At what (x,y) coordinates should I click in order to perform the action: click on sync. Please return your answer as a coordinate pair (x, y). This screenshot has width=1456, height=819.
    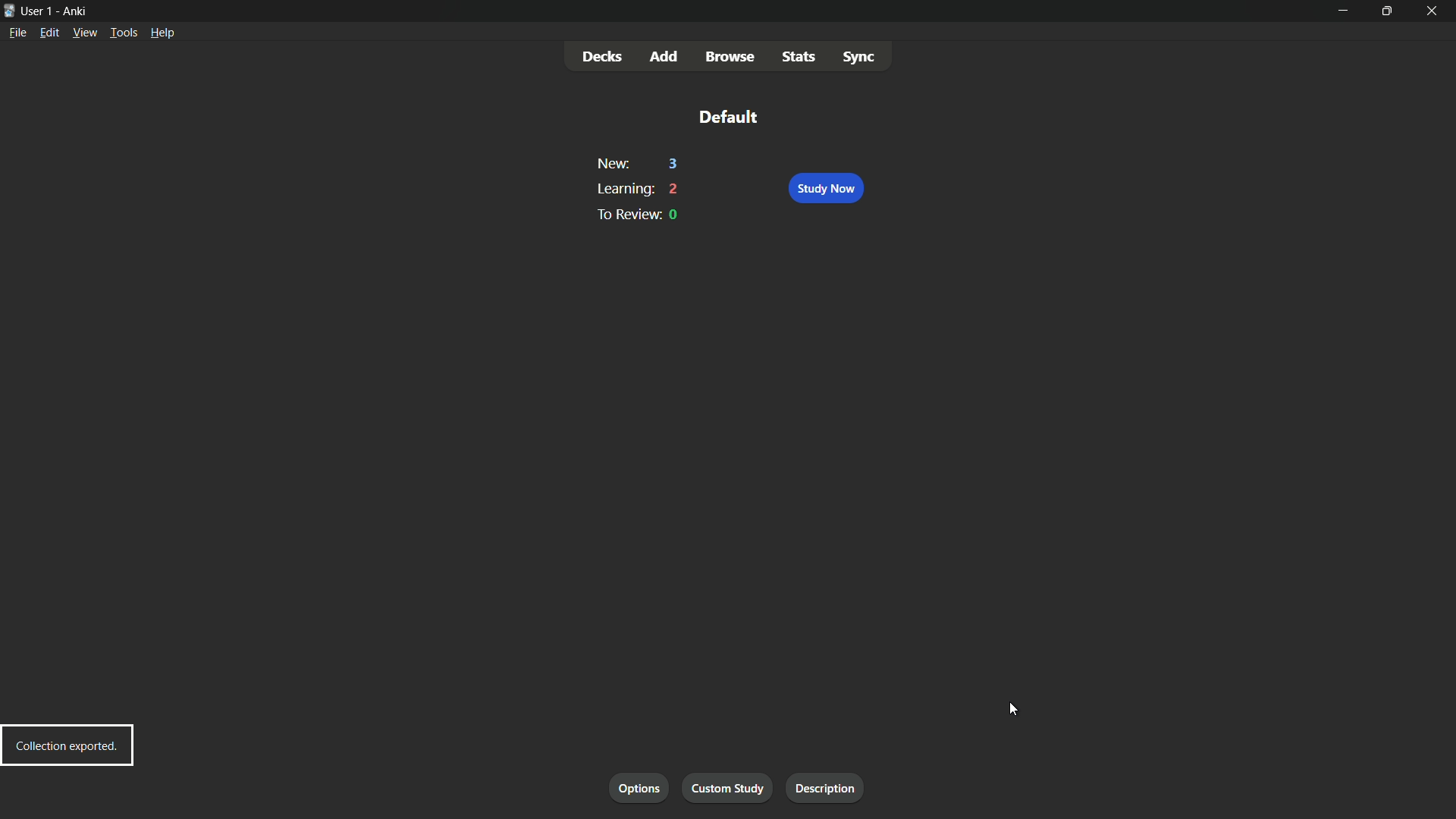
    Looking at the image, I should click on (858, 55).